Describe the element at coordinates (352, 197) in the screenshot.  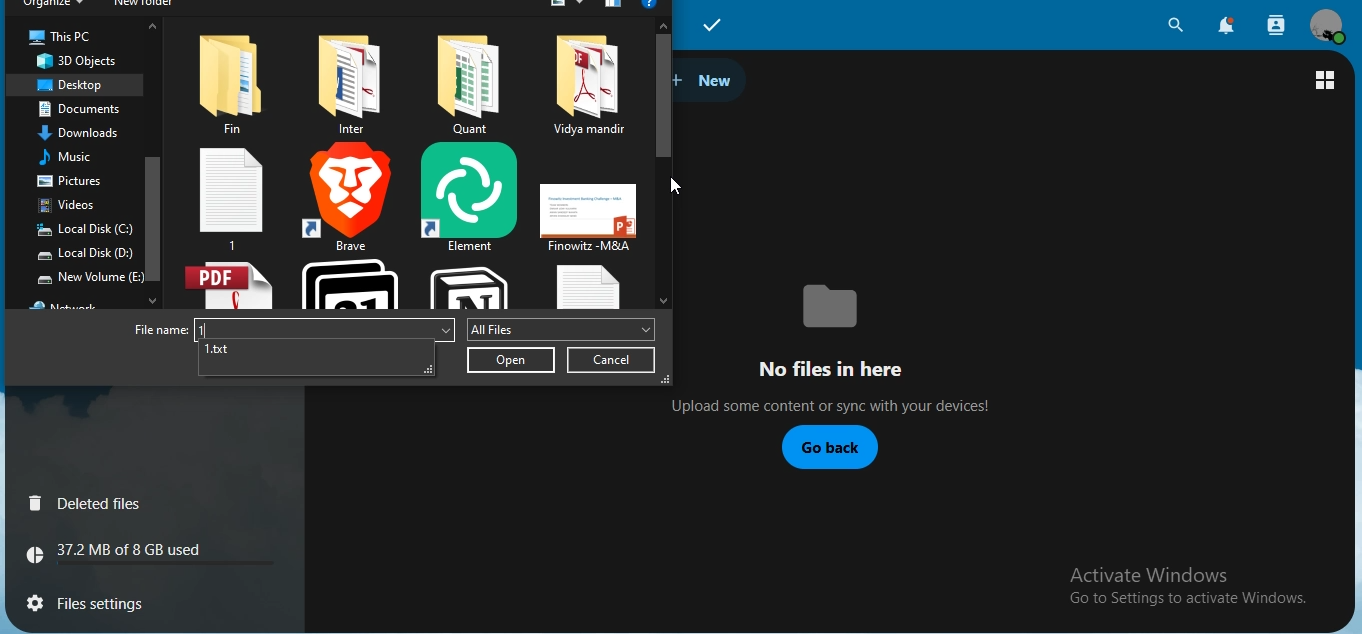
I see `brave` at that location.